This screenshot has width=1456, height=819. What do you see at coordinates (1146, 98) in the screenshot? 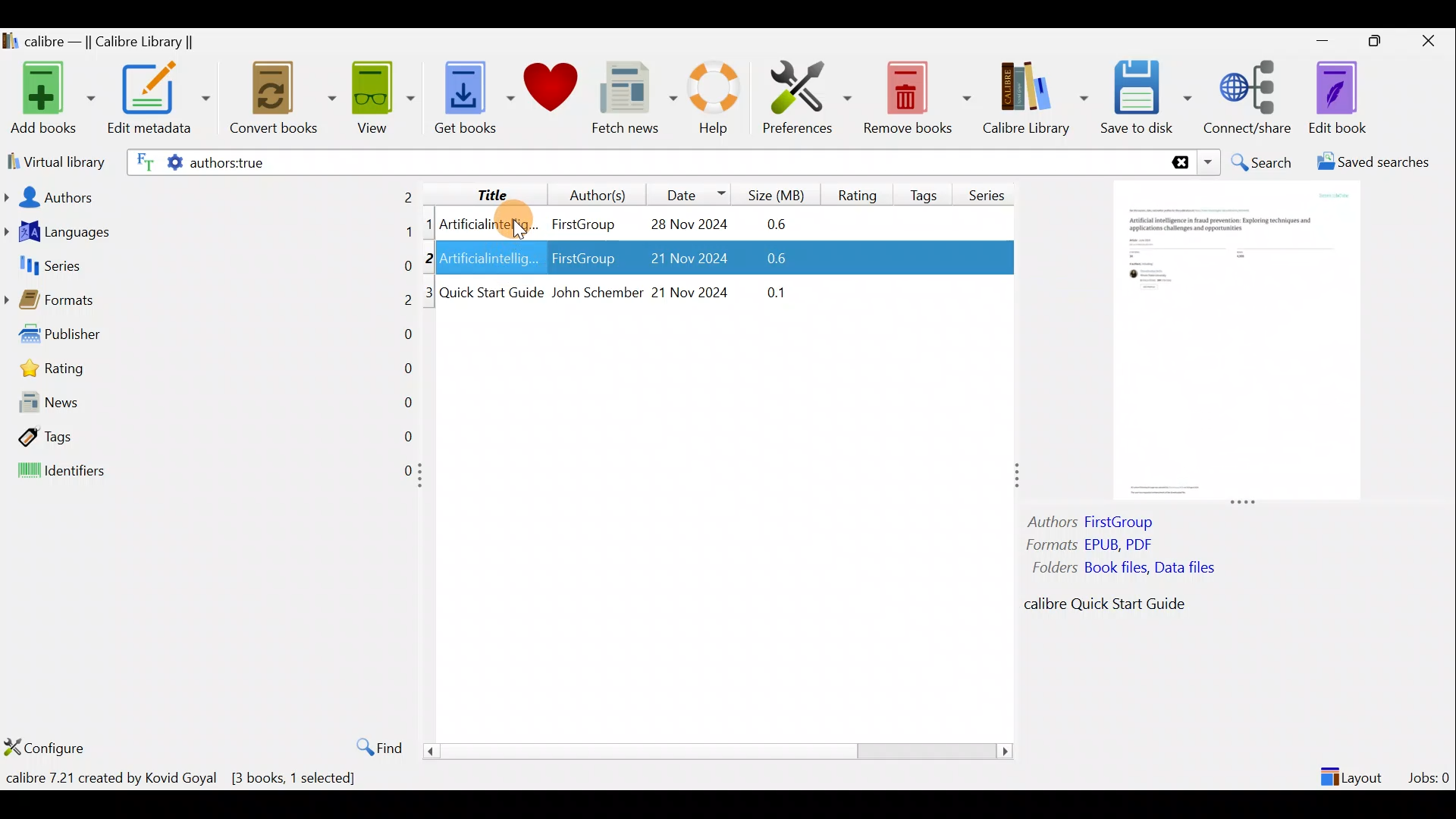
I see `Save to disk` at bounding box center [1146, 98].